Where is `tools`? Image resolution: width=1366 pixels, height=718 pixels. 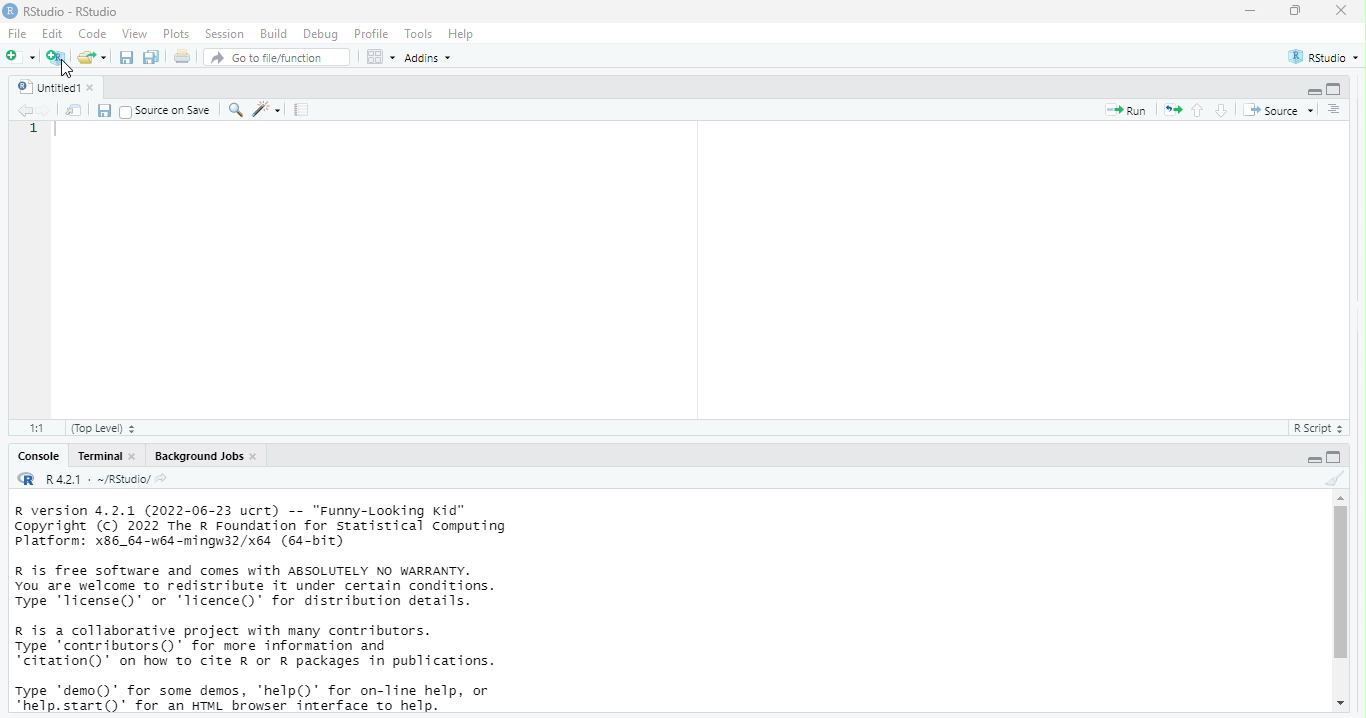
tools is located at coordinates (419, 34).